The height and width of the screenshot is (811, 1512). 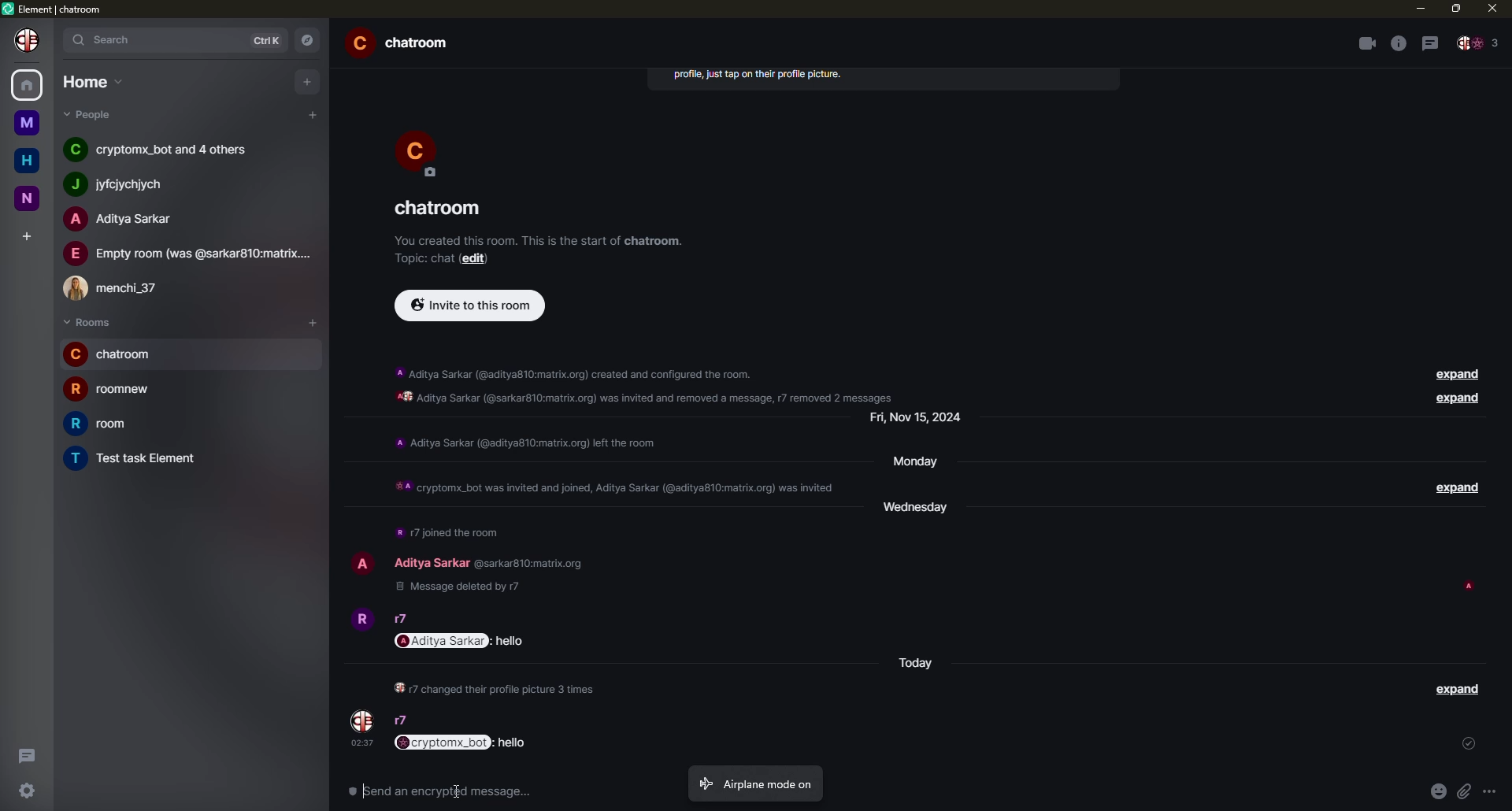 I want to click on info, so click(x=495, y=688).